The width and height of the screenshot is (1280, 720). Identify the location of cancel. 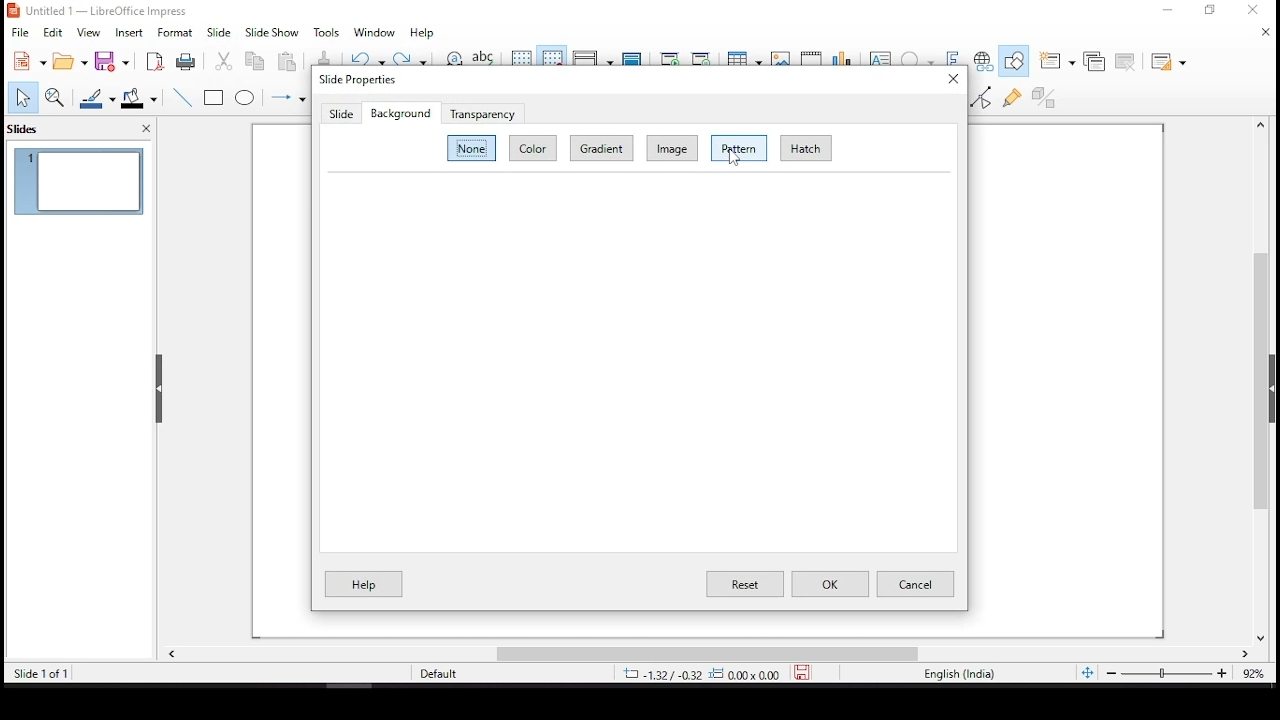
(915, 584).